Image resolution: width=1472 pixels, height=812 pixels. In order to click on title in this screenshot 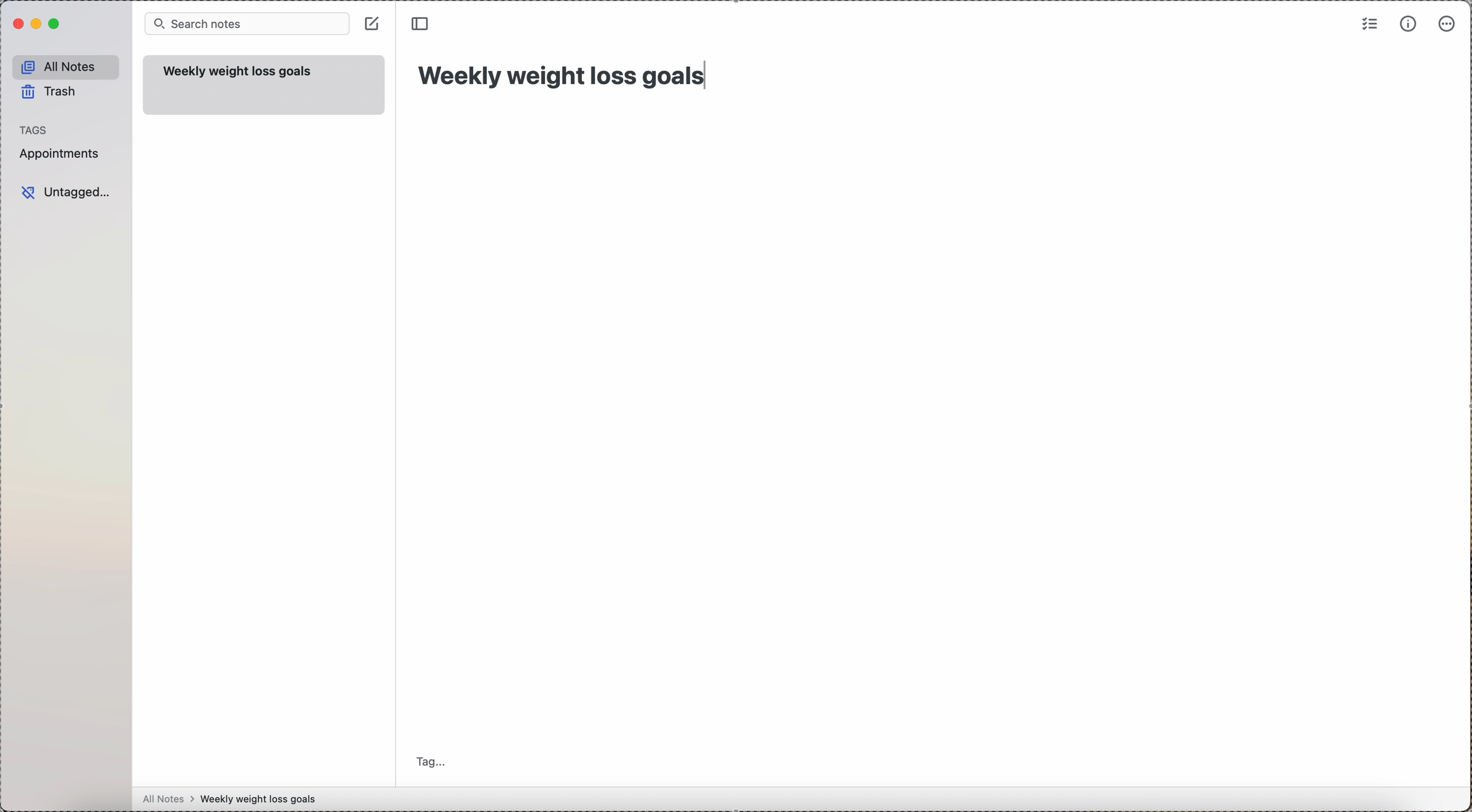, I will do `click(570, 75)`.